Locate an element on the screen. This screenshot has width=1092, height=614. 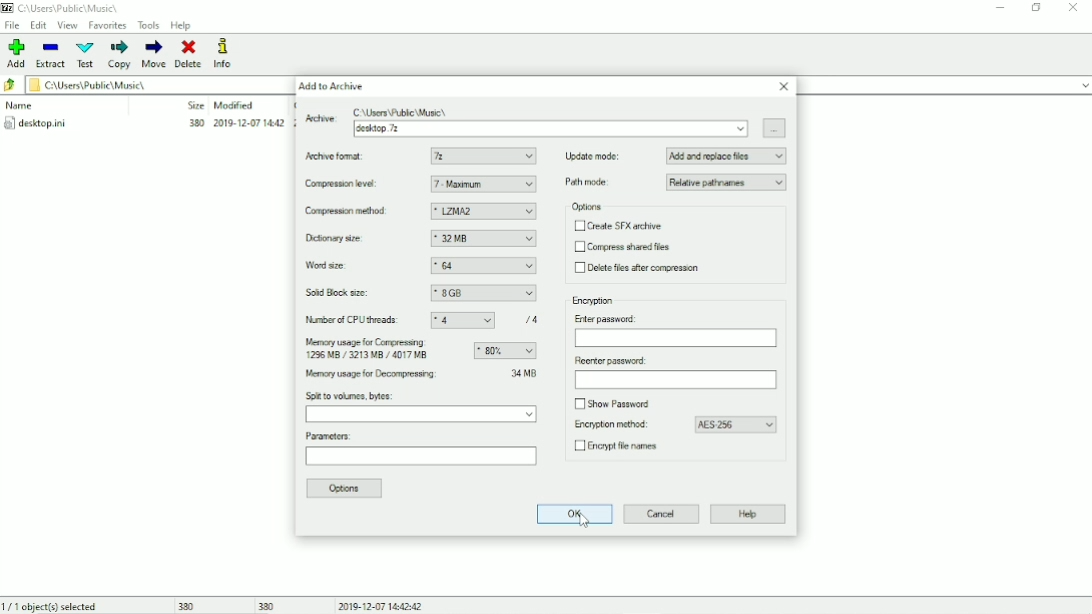
Number of CPU threads is located at coordinates (354, 320).